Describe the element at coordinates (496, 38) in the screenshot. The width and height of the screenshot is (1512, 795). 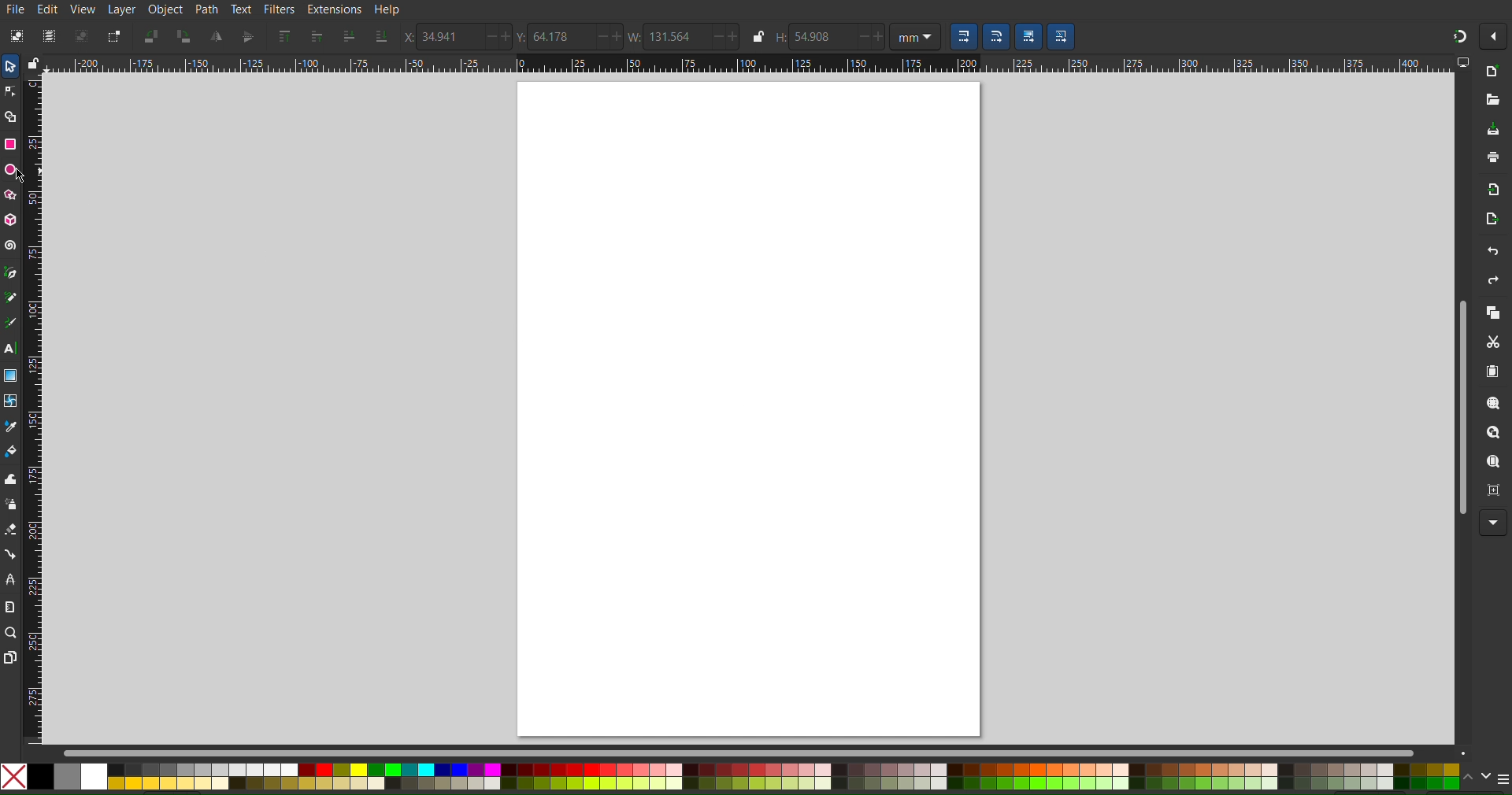
I see `increase/decrease` at that location.